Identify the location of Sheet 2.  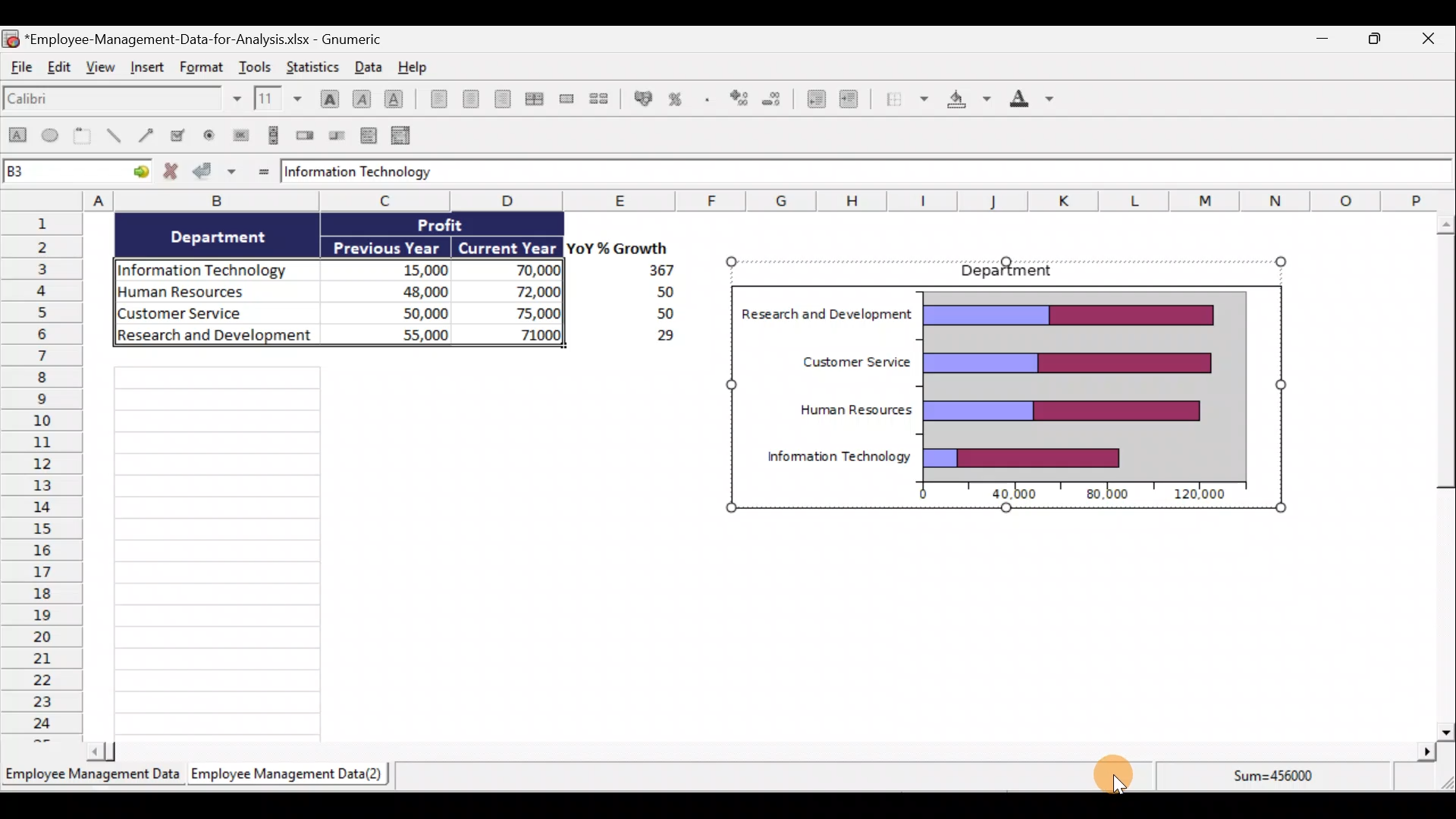
(290, 774).